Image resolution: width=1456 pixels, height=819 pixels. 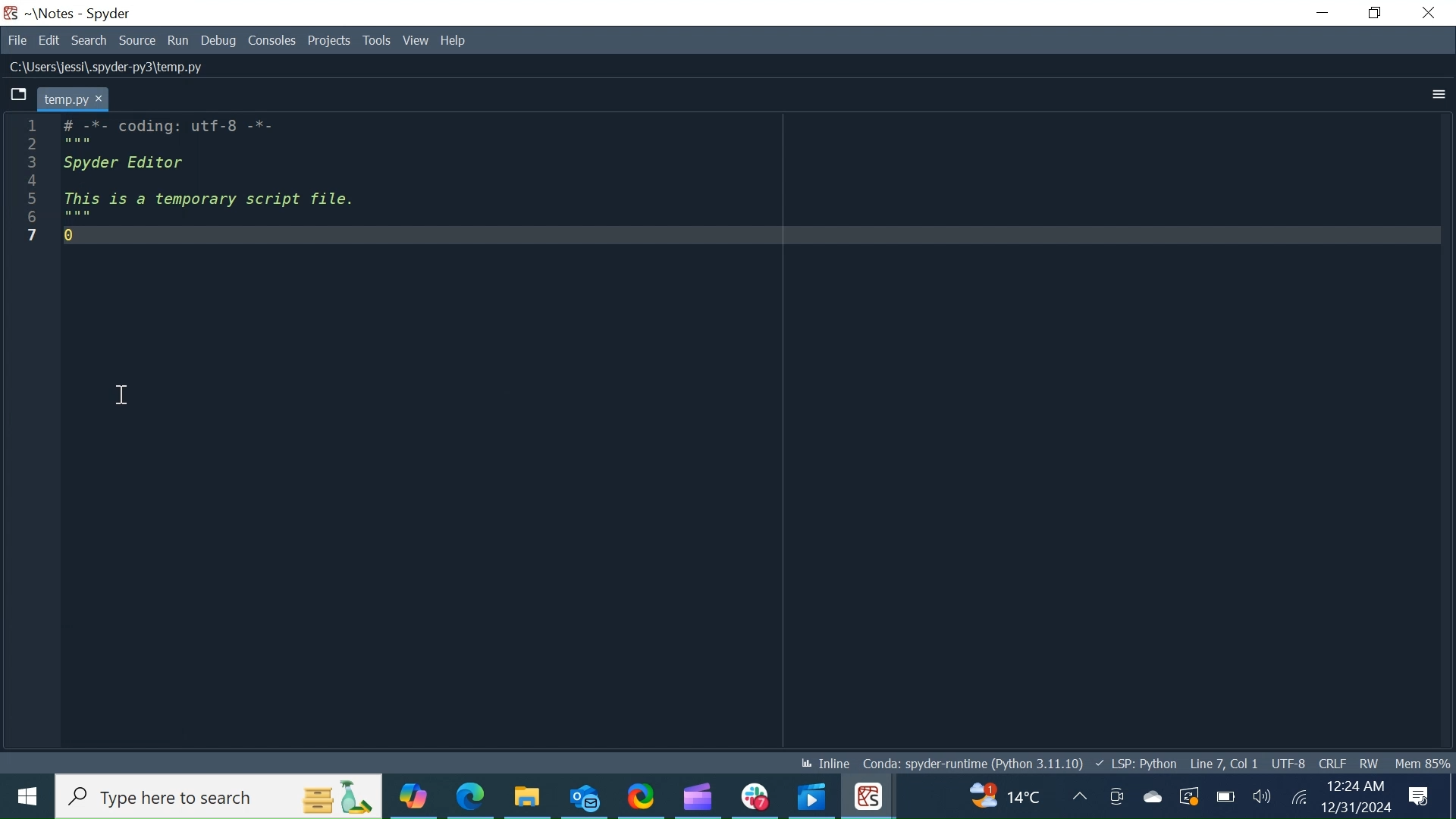 What do you see at coordinates (527, 795) in the screenshot?
I see `File Explorer Desktop Icon` at bounding box center [527, 795].